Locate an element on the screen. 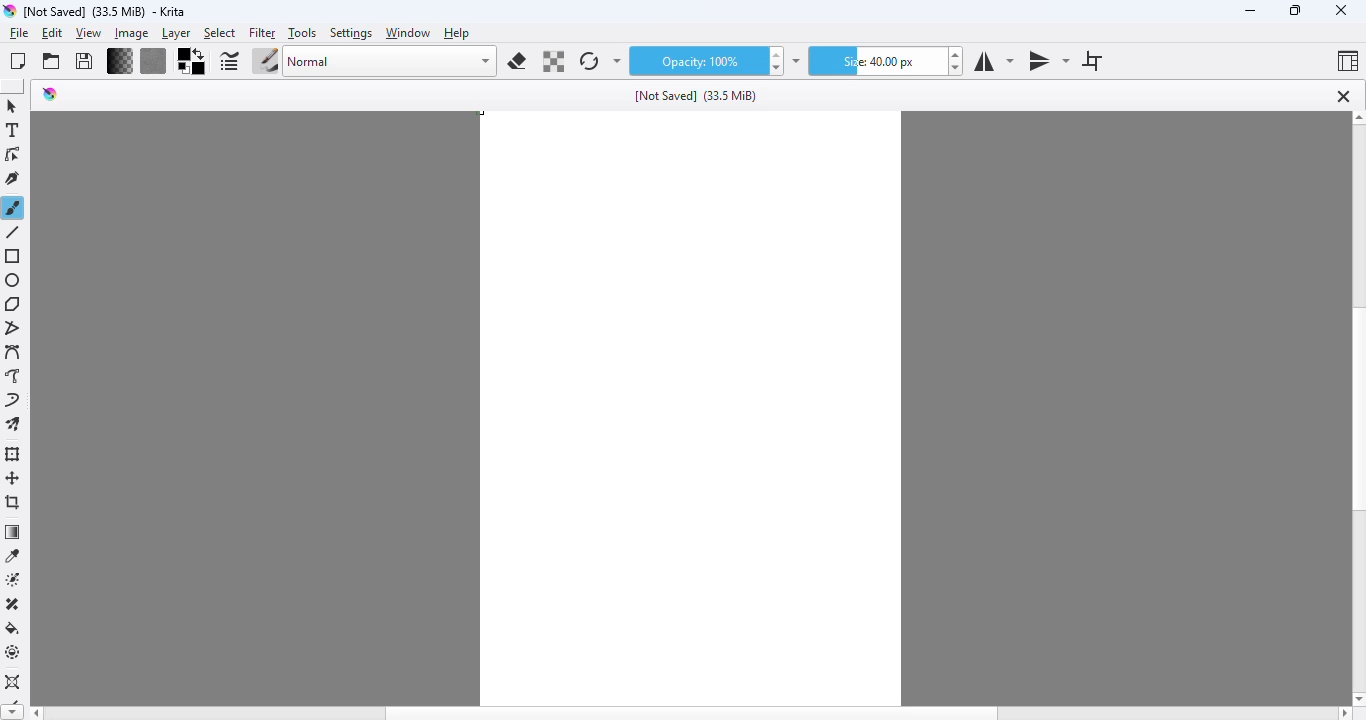  assistant tool is located at coordinates (13, 682).